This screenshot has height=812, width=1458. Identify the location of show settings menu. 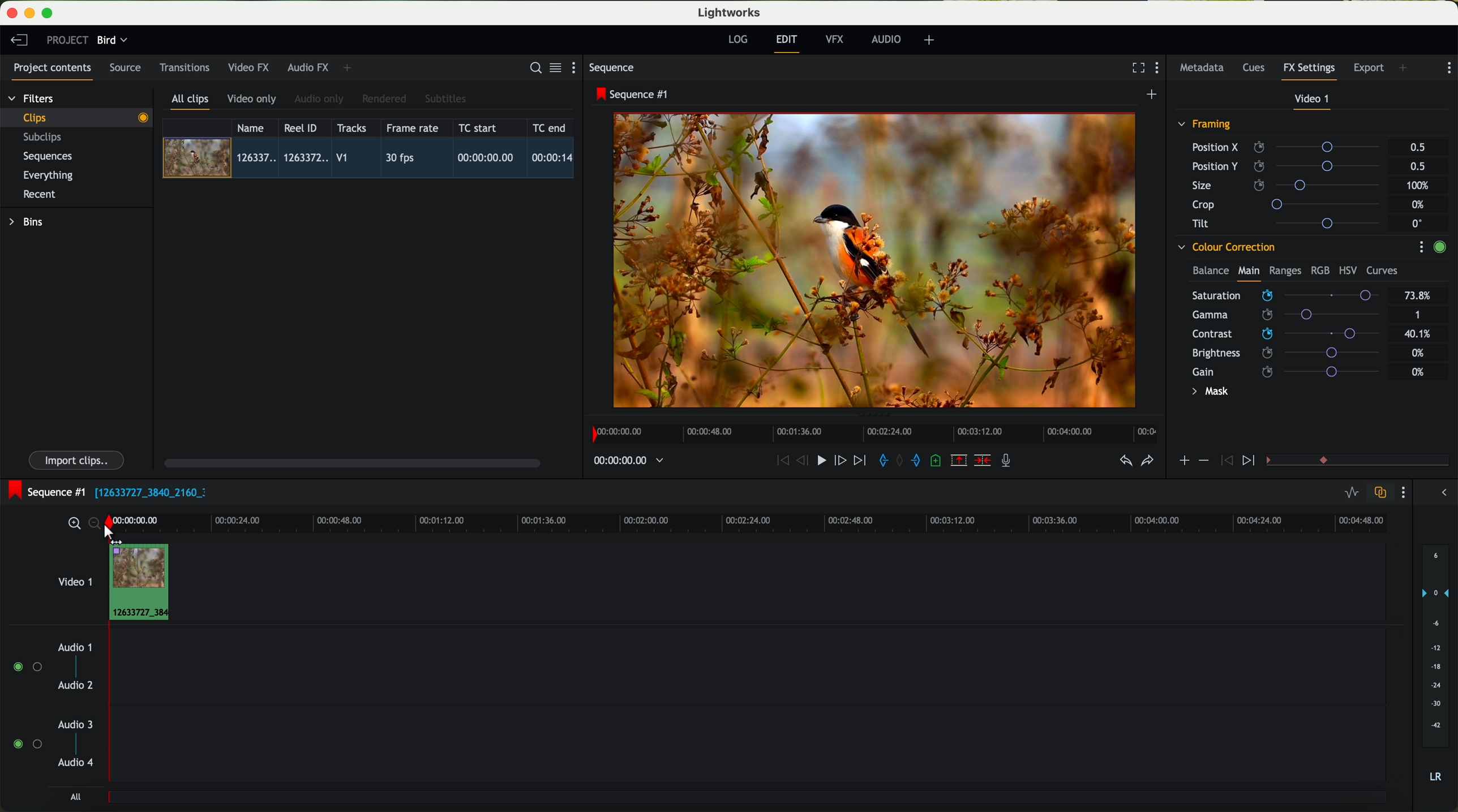
(1402, 492).